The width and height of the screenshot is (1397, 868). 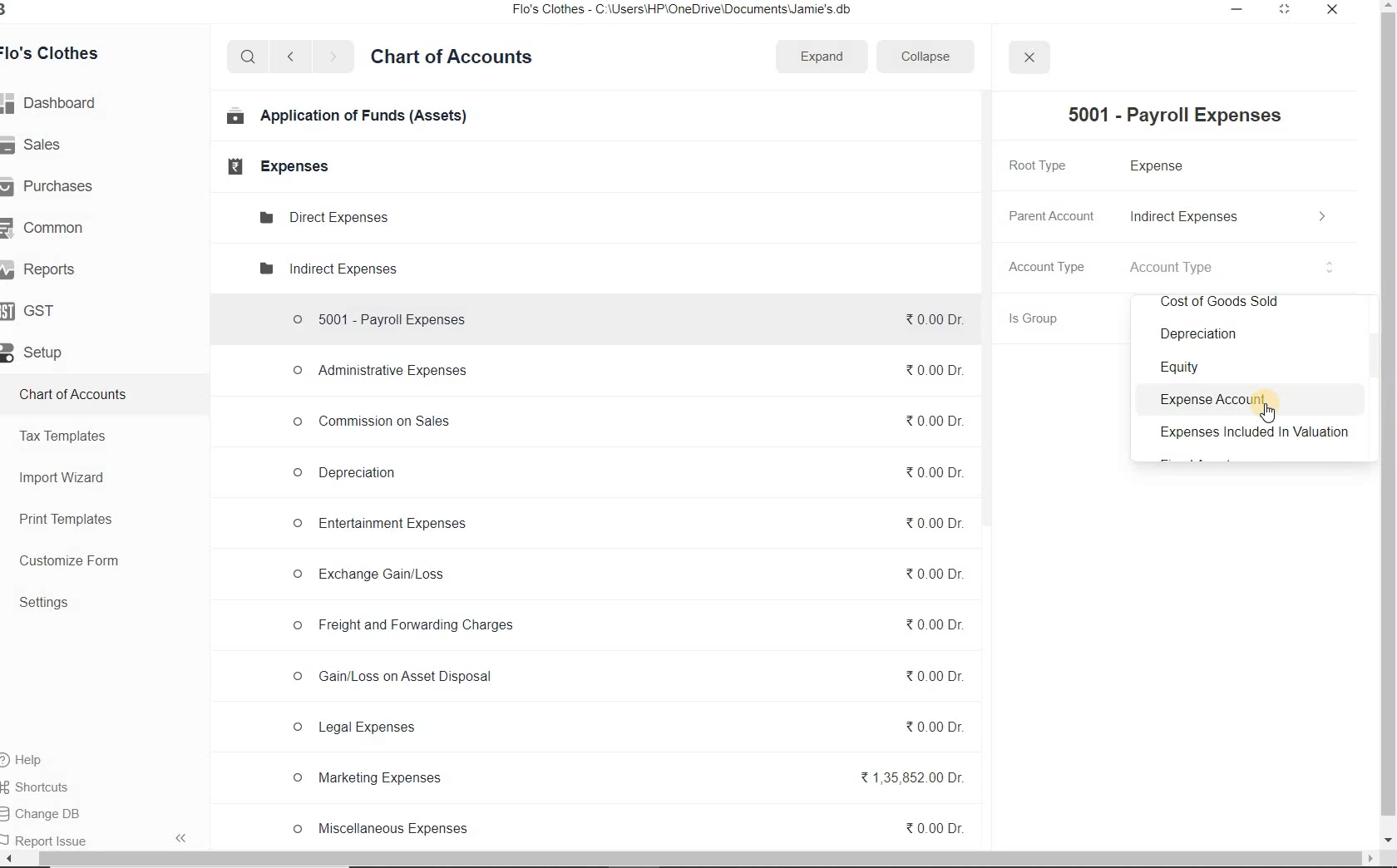 What do you see at coordinates (289, 57) in the screenshot?
I see `previous` at bounding box center [289, 57].